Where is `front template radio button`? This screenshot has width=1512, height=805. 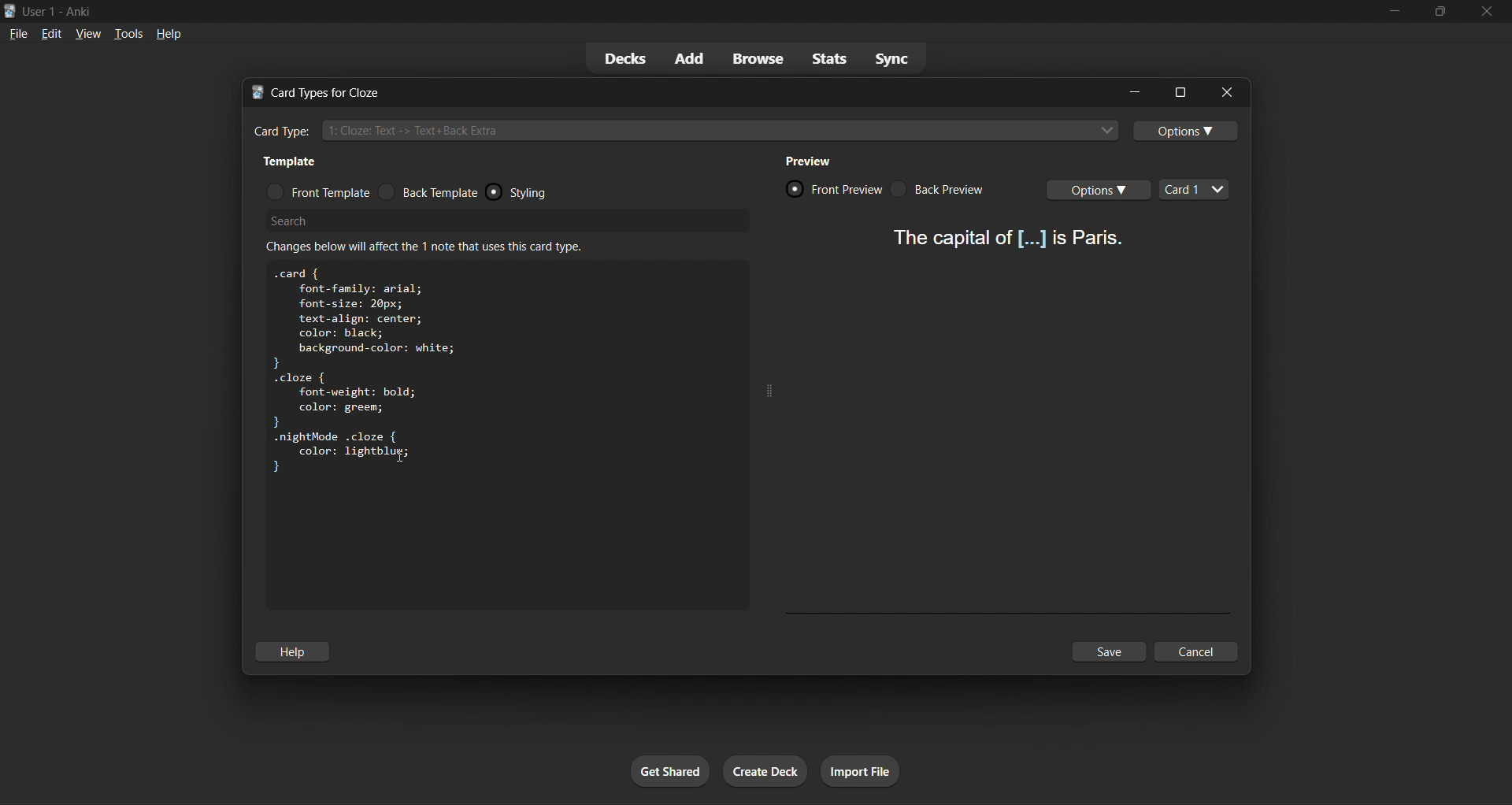 front template radio button is located at coordinates (317, 191).